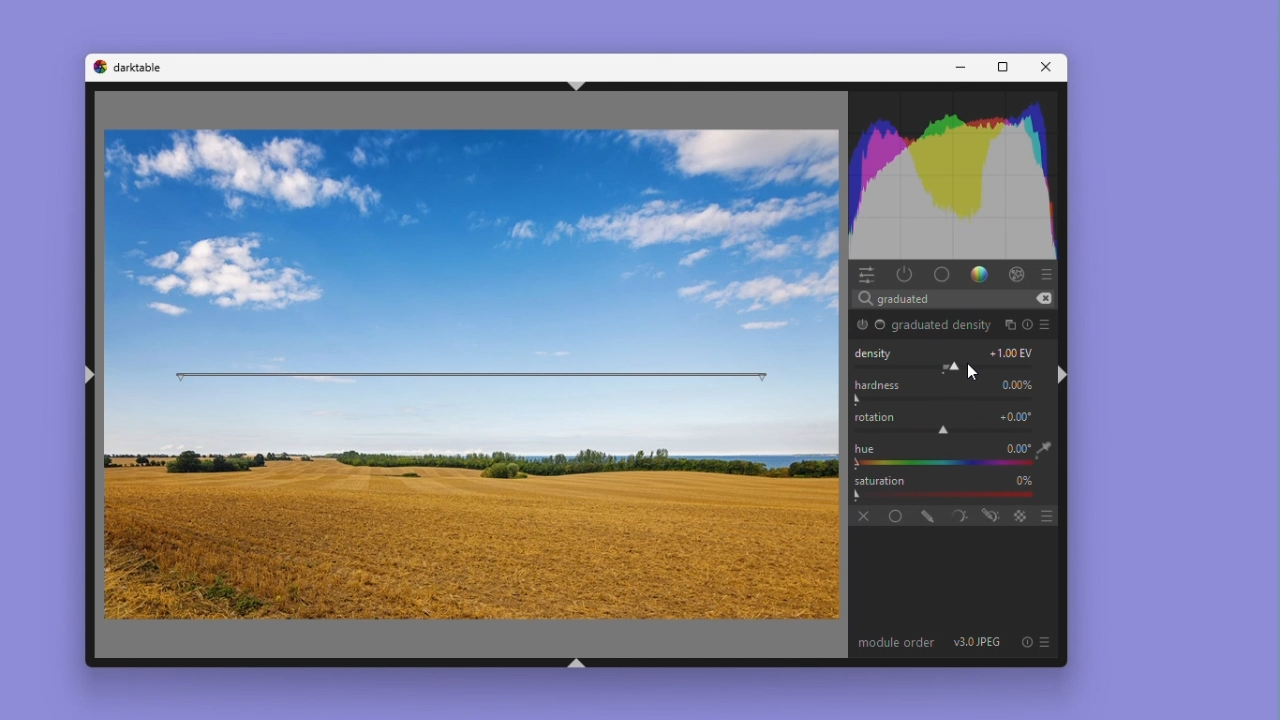 This screenshot has height=720, width=1280. What do you see at coordinates (575, 83) in the screenshot?
I see `shift+ctrl+t` at bounding box center [575, 83].